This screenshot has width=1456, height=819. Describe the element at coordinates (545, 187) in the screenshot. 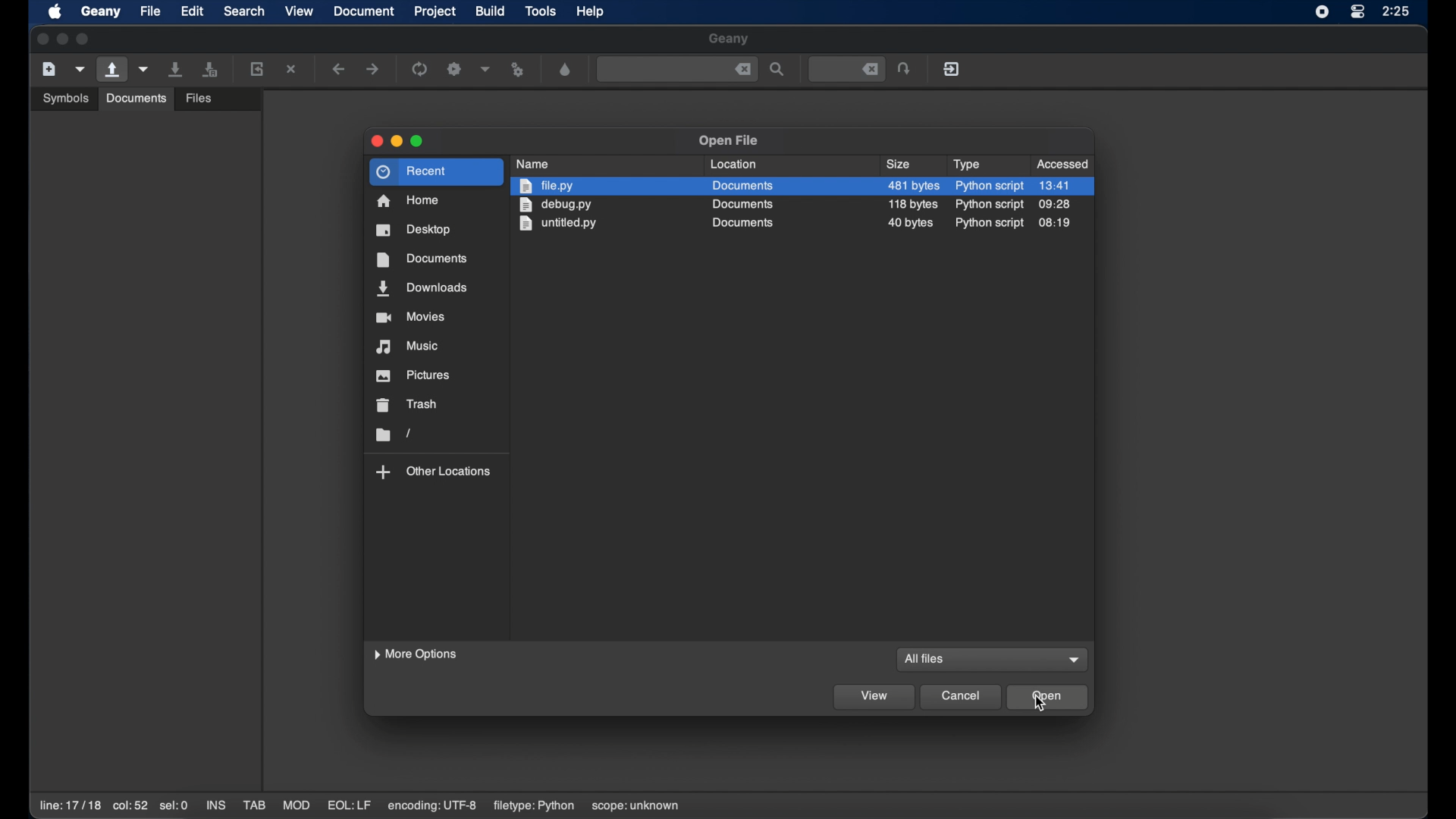

I see `file.py` at that location.